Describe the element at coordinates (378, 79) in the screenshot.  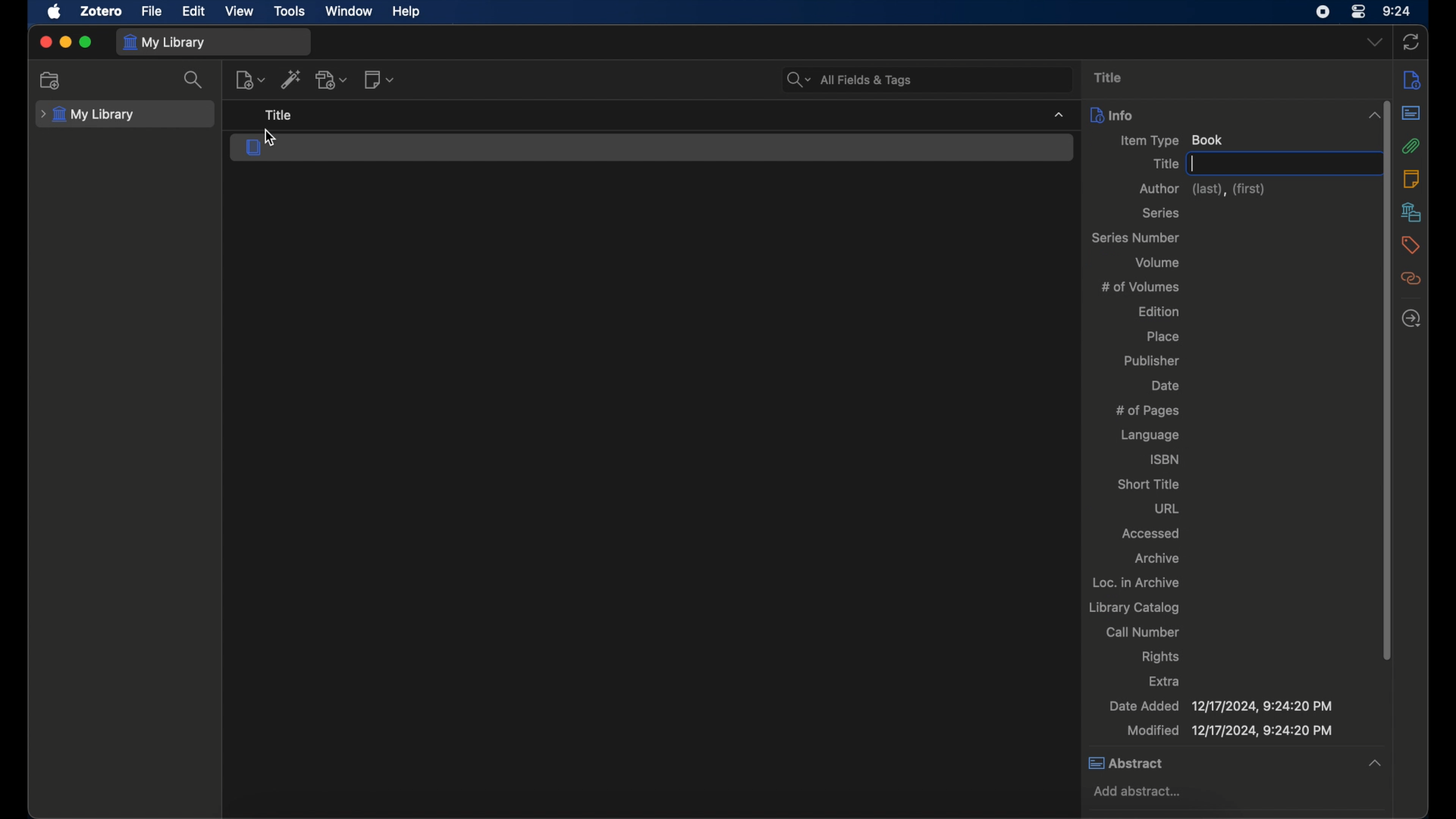
I see `new note` at that location.